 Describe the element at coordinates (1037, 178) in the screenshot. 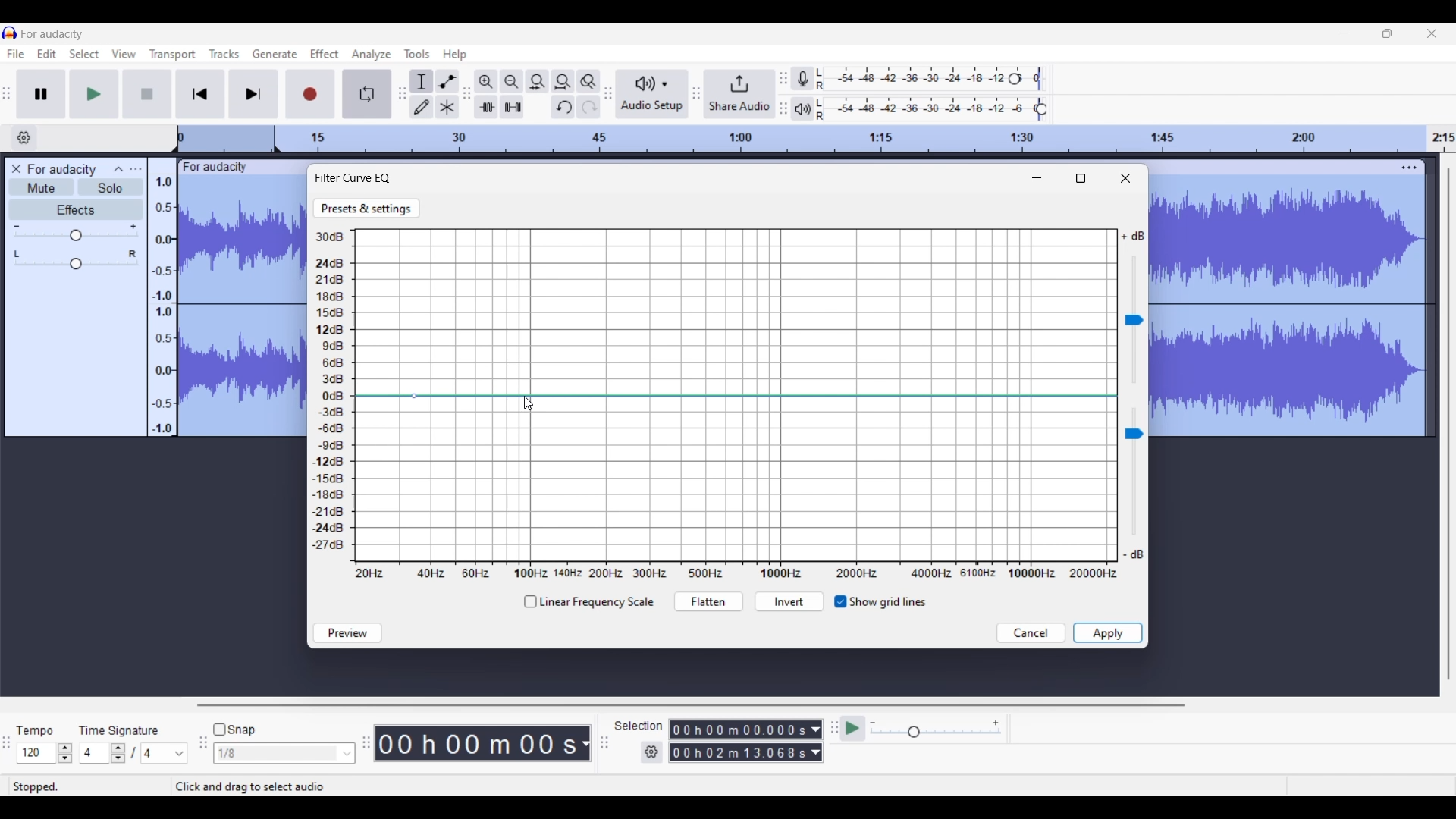

I see `Minimize` at that location.